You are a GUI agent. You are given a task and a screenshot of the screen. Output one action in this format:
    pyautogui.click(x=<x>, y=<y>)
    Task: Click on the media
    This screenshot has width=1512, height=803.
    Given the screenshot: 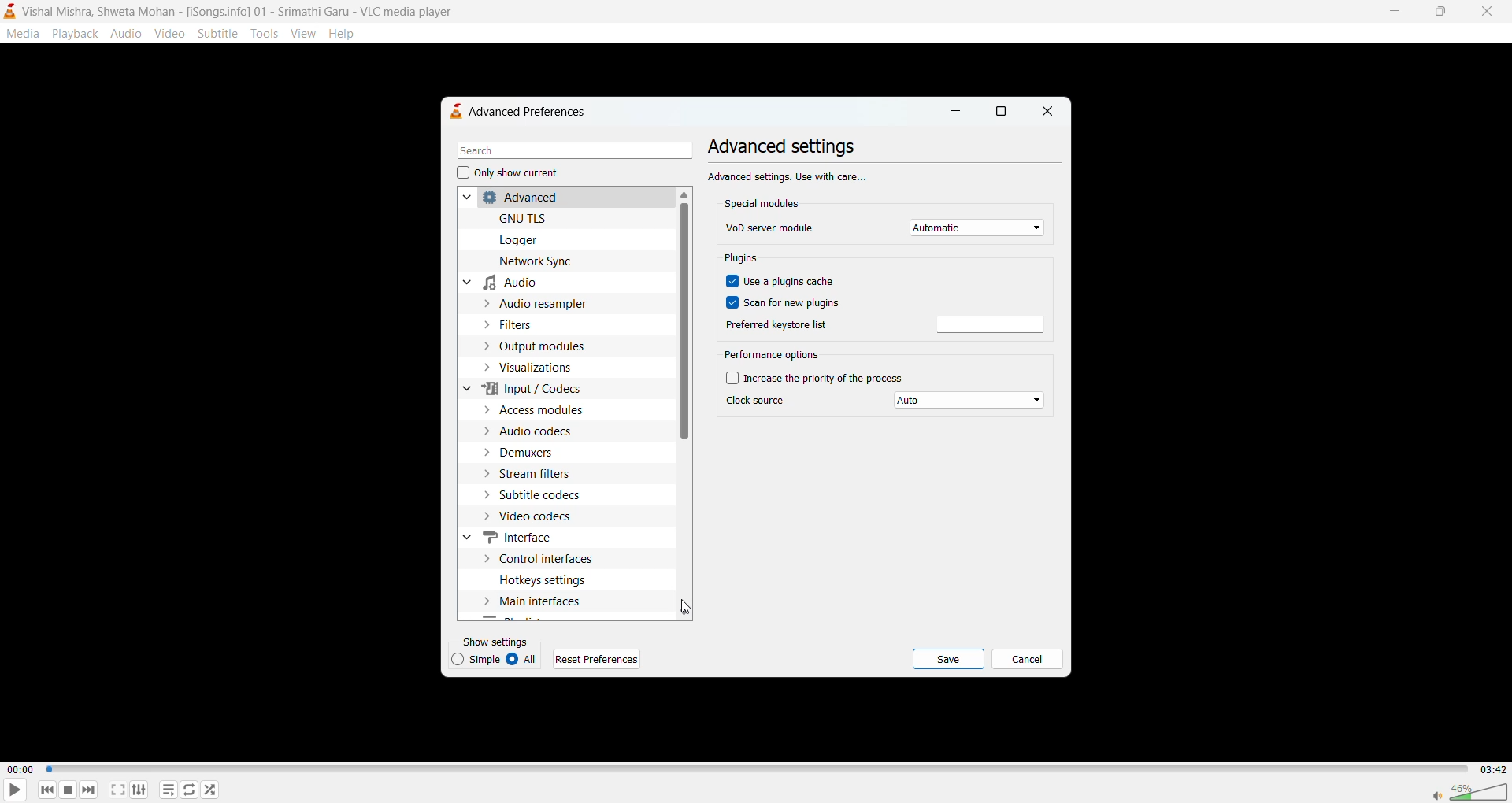 What is the action you would take?
    pyautogui.click(x=22, y=34)
    